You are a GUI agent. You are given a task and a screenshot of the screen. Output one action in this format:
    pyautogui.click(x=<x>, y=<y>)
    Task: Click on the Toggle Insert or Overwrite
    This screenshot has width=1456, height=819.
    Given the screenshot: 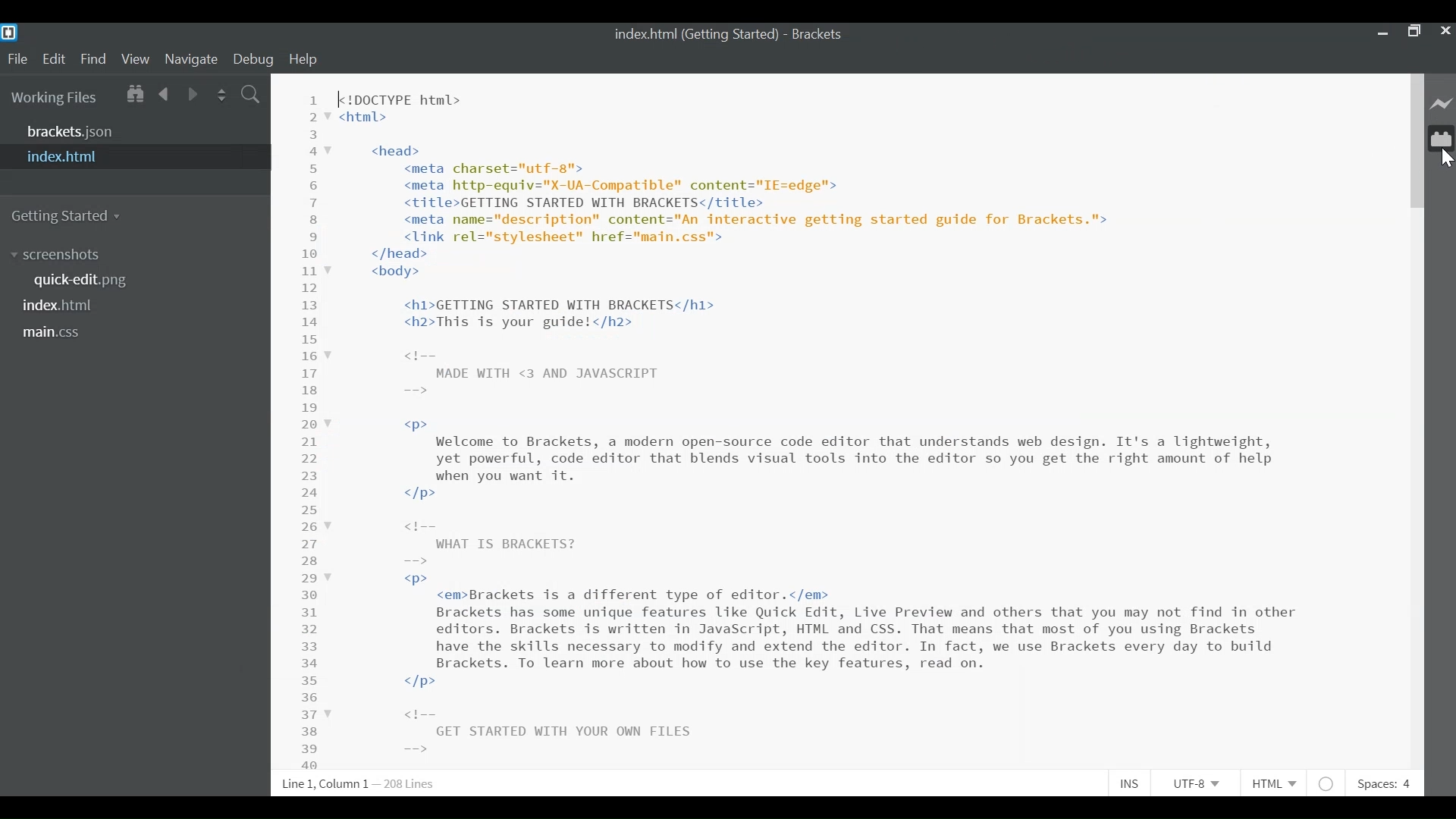 What is the action you would take?
    pyautogui.click(x=1131, y=783)
    